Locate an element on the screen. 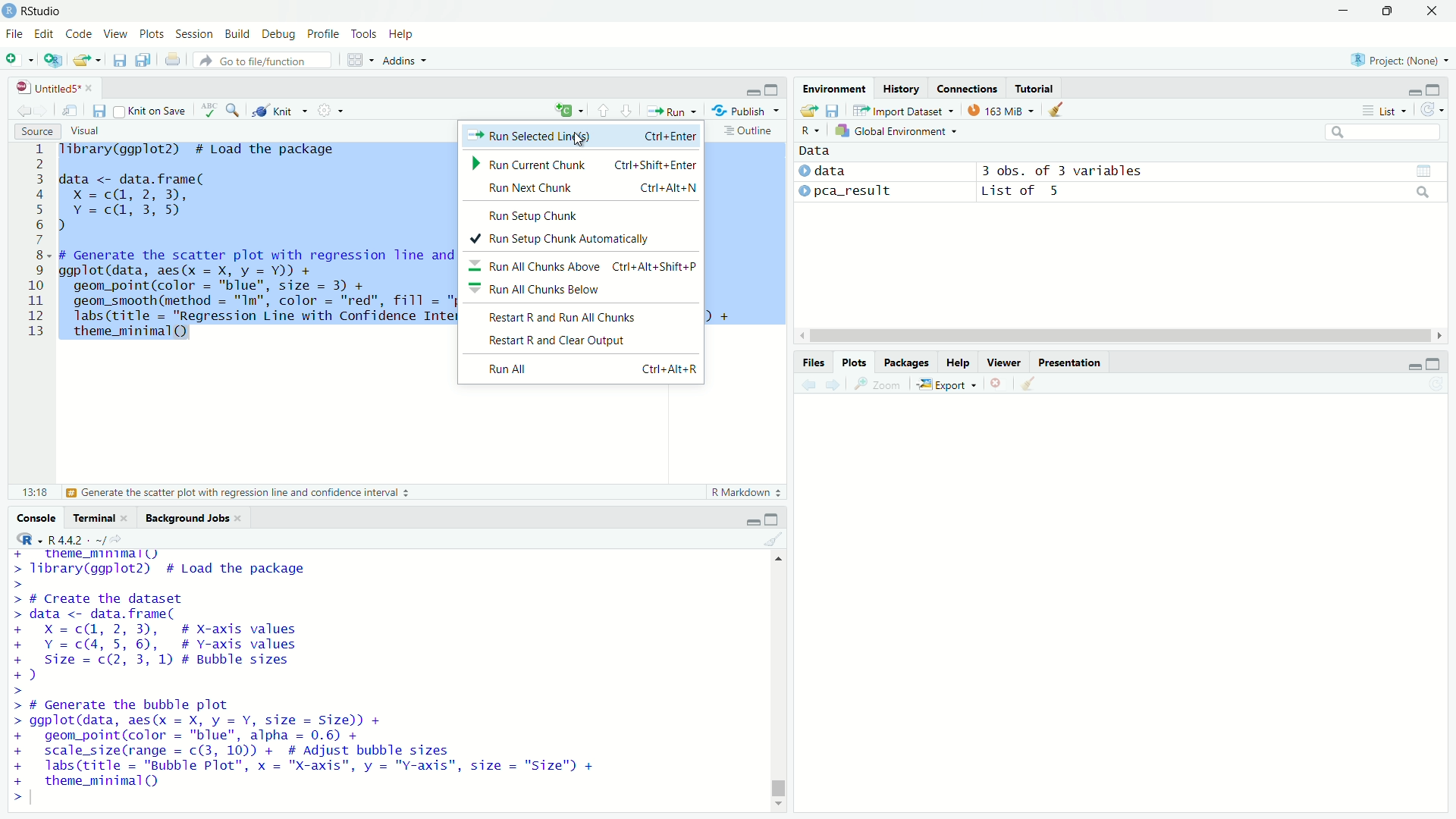 The width and height of the screenshot is (1456, 819). View the current working current directory is located at coordinates (115, 538).